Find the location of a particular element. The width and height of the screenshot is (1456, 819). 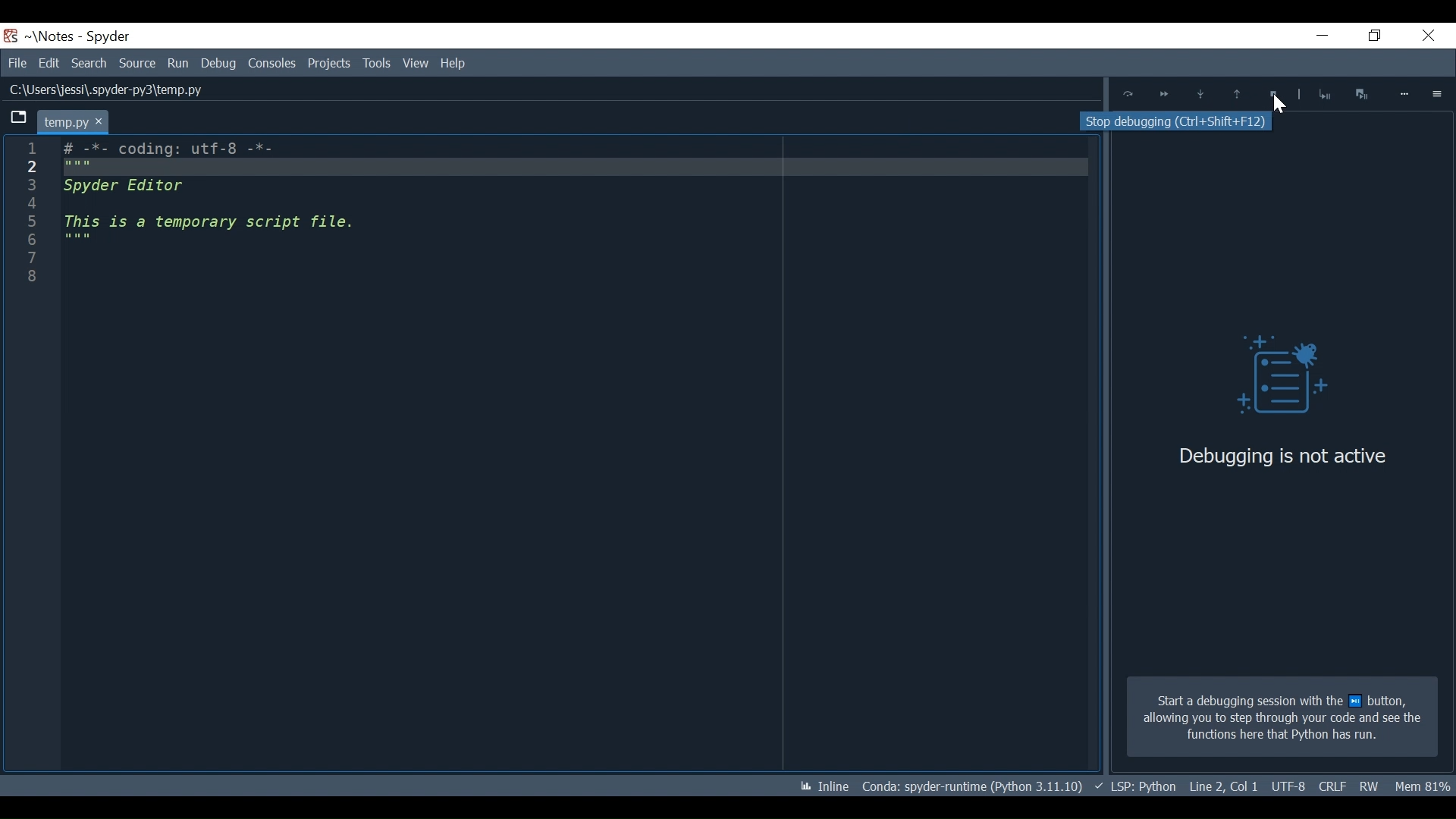

Tools is located at coordinates (331, 63).